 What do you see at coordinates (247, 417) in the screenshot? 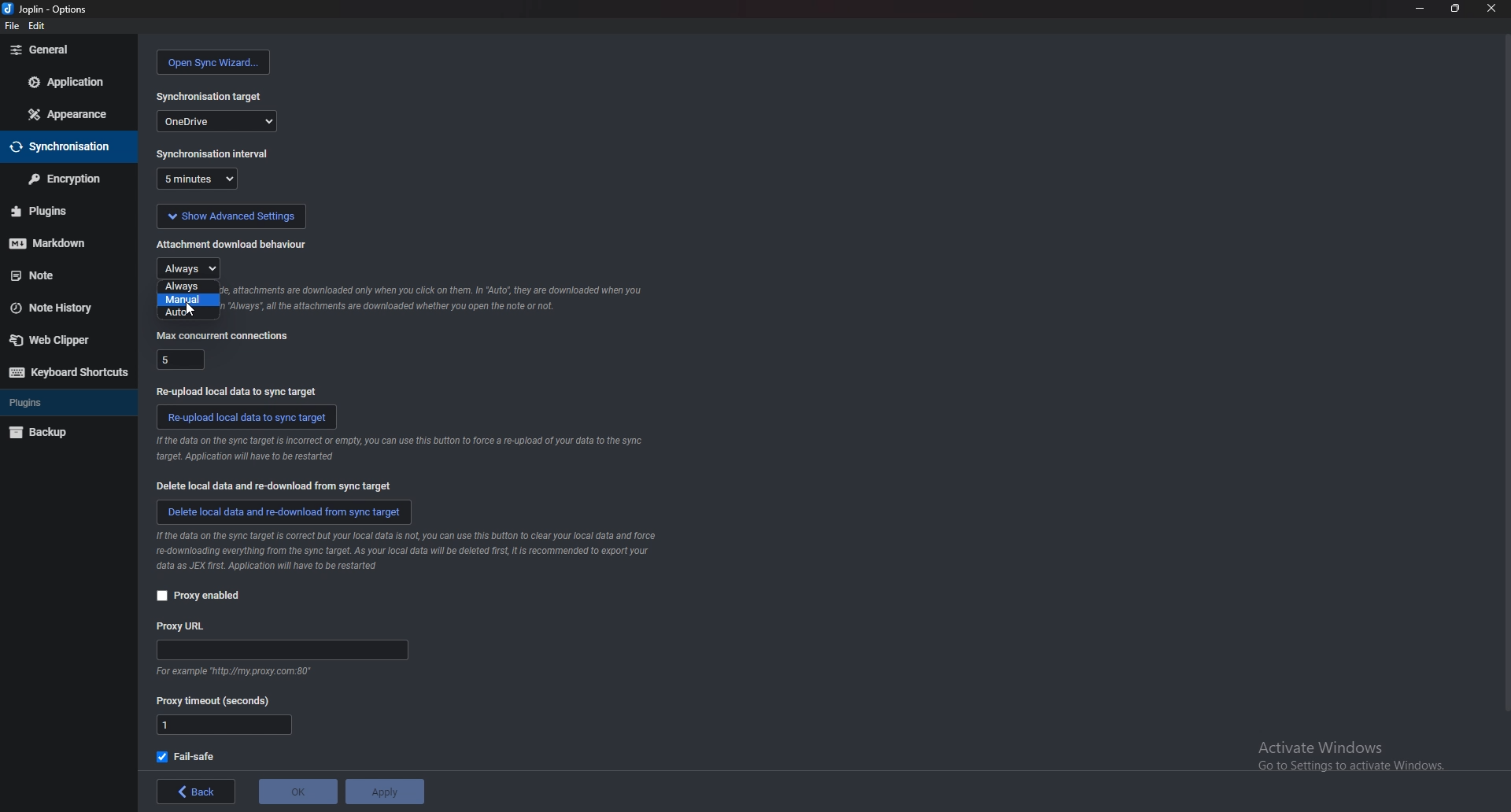
I see `re upload local data` at bounding box center [247, 417].